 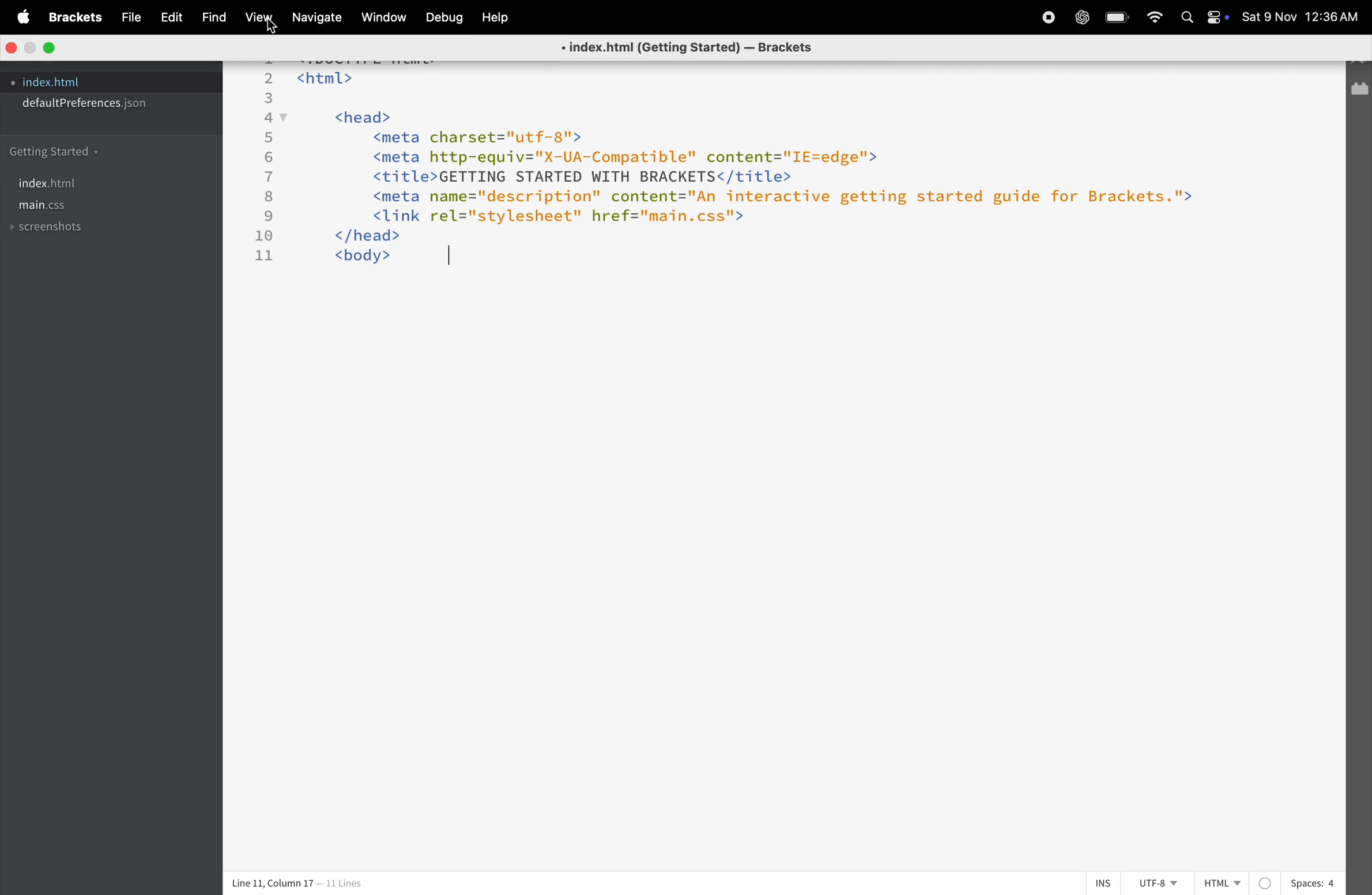 I want to click on brackets, so click(x=77, y=17).